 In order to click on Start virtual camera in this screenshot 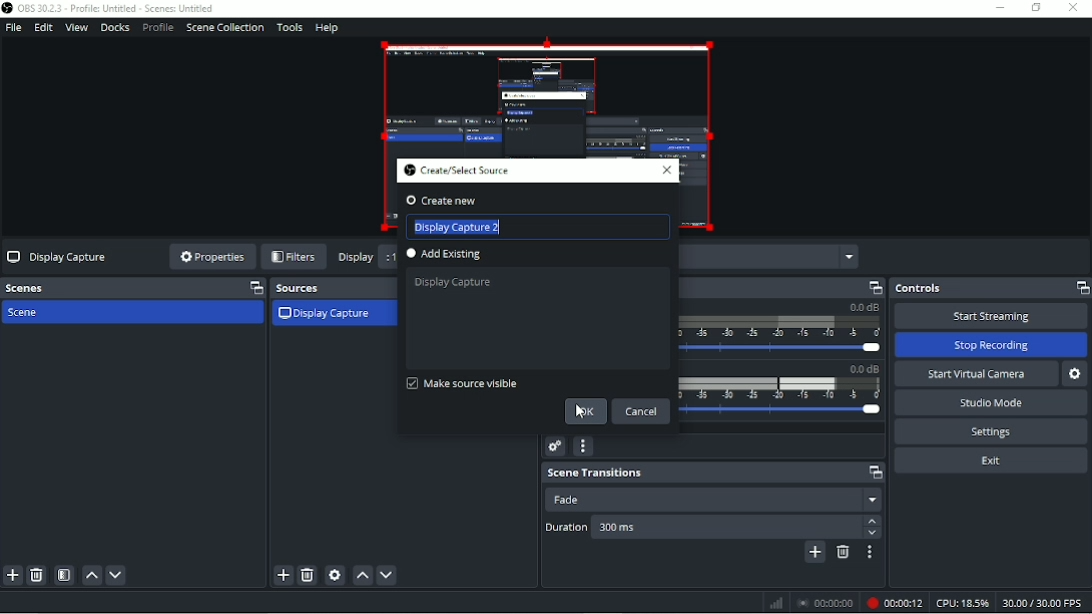, I will do `click(976, 375)`.